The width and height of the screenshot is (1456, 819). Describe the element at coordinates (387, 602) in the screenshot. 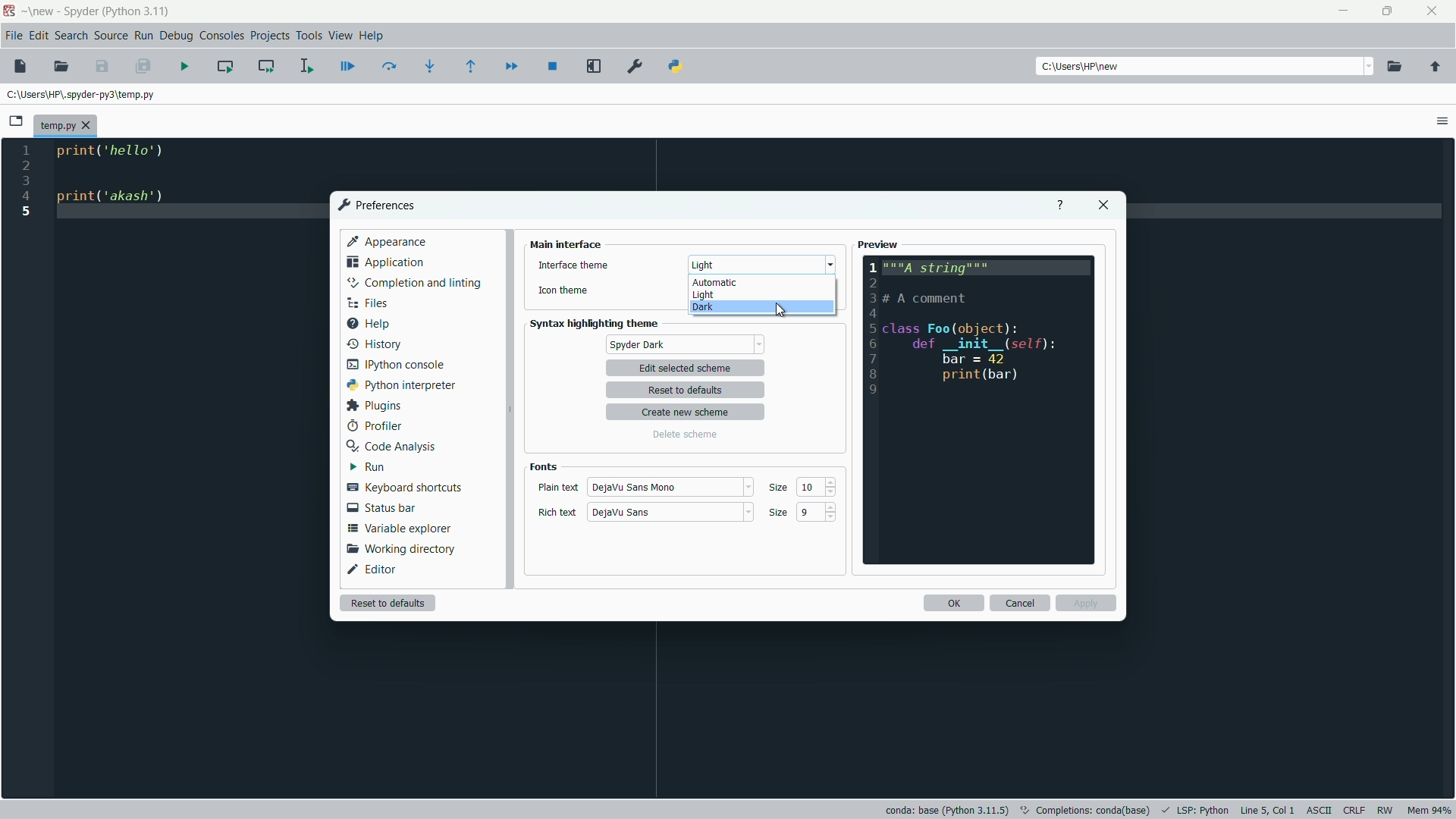

I see `reset to defaults` at that location.